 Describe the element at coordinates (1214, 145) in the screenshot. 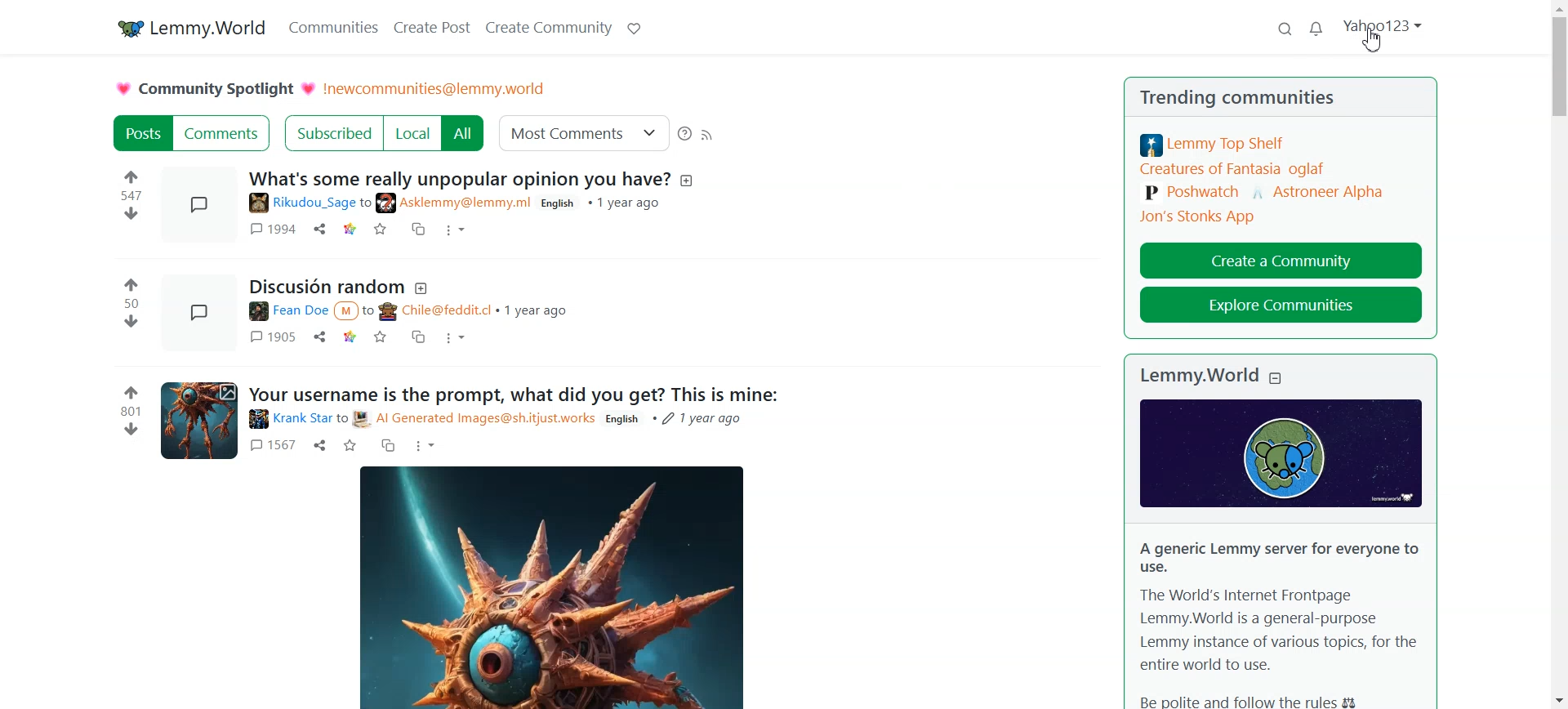

I see `lemmy top shelf` at that location.